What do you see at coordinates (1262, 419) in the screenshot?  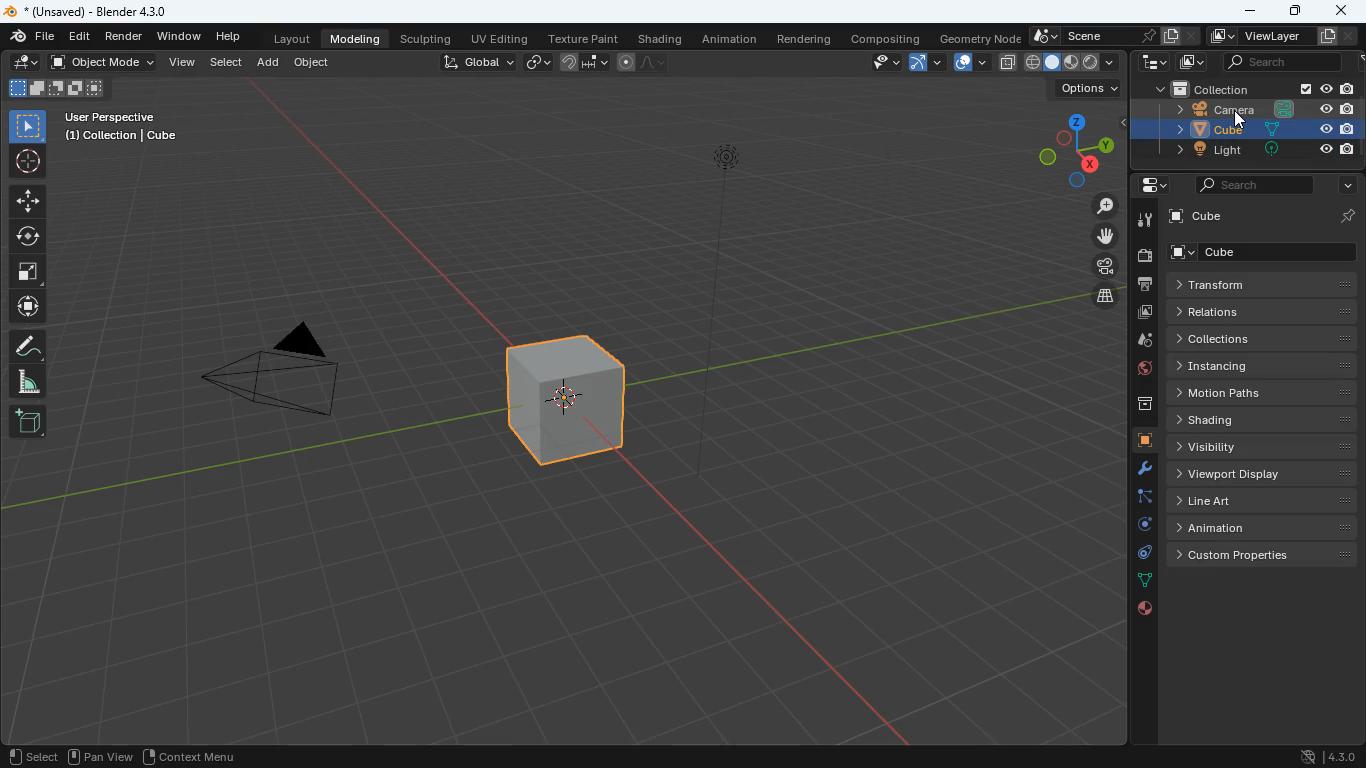 I see `shading` at bounding box center [1262, 419].